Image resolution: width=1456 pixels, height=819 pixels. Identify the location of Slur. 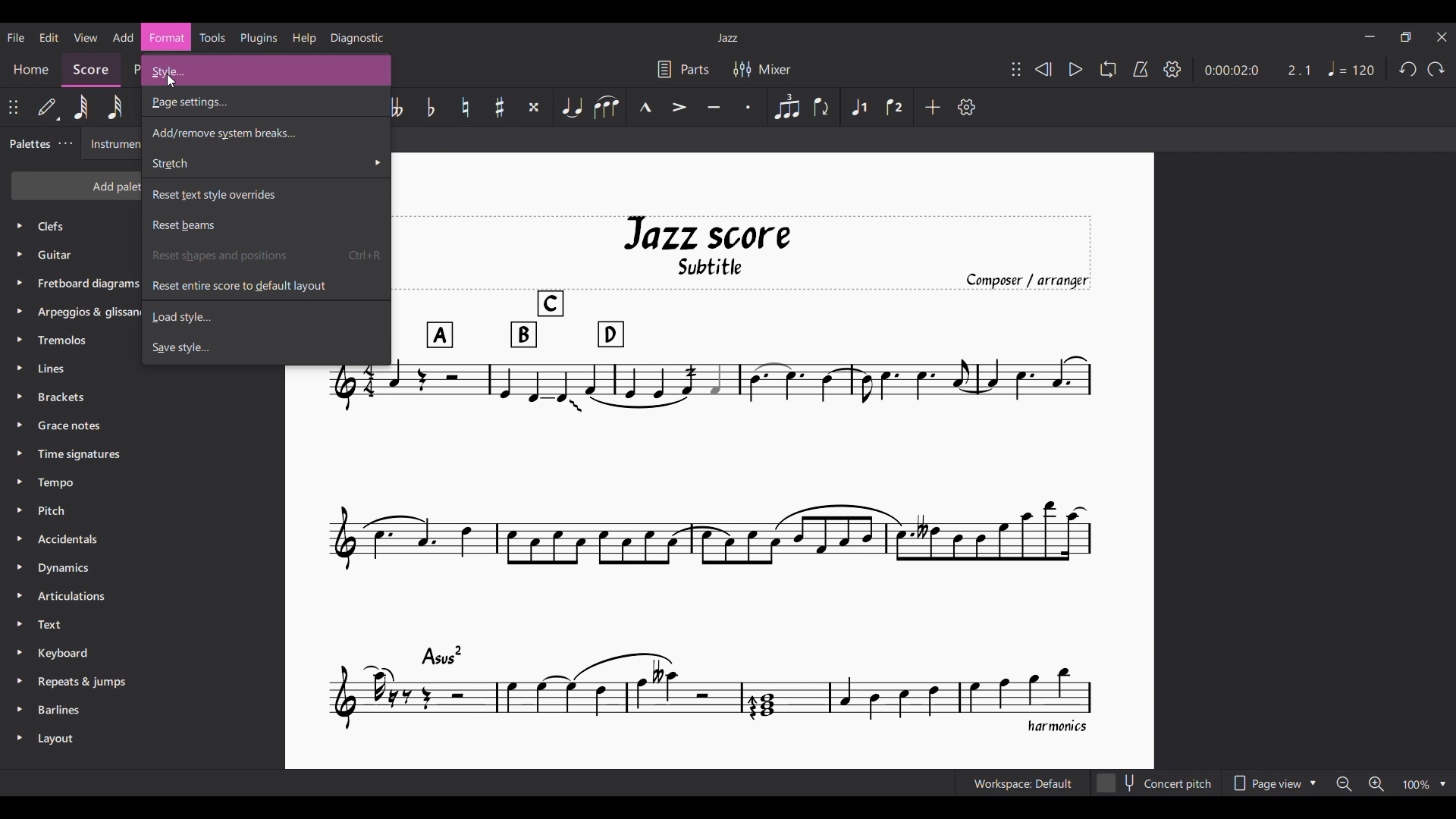
(607, 107).